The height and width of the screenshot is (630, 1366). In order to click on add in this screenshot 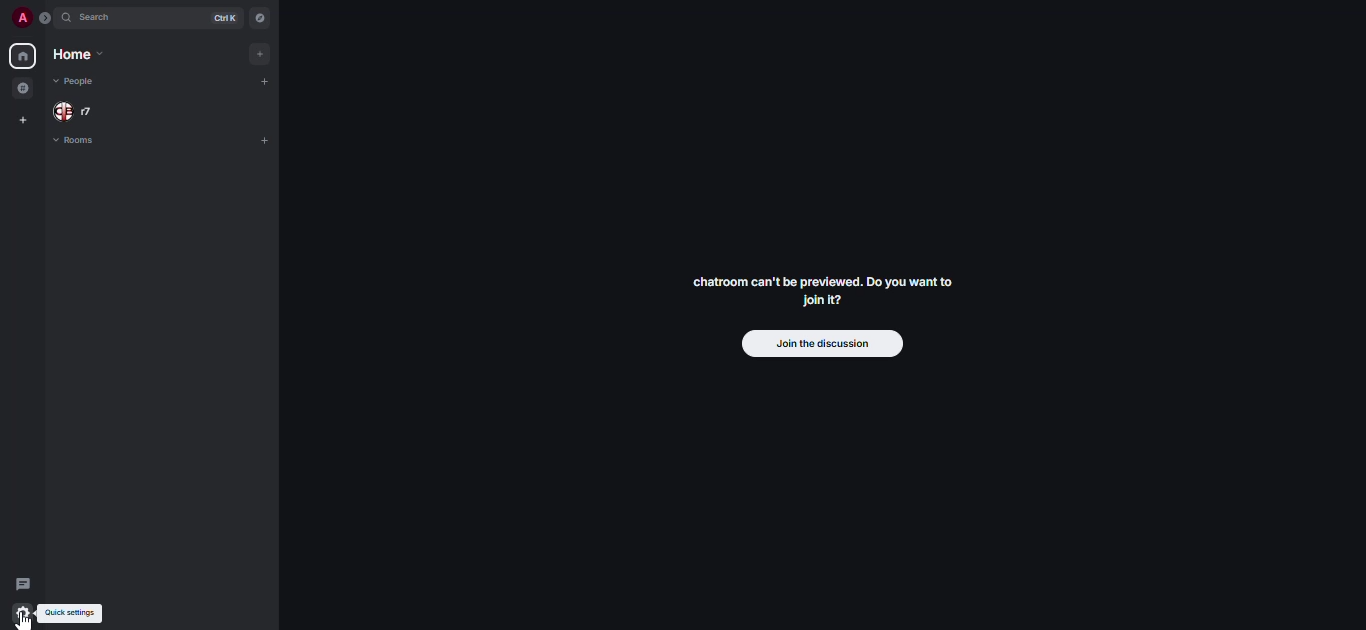, I will do `click(257, 53)`.